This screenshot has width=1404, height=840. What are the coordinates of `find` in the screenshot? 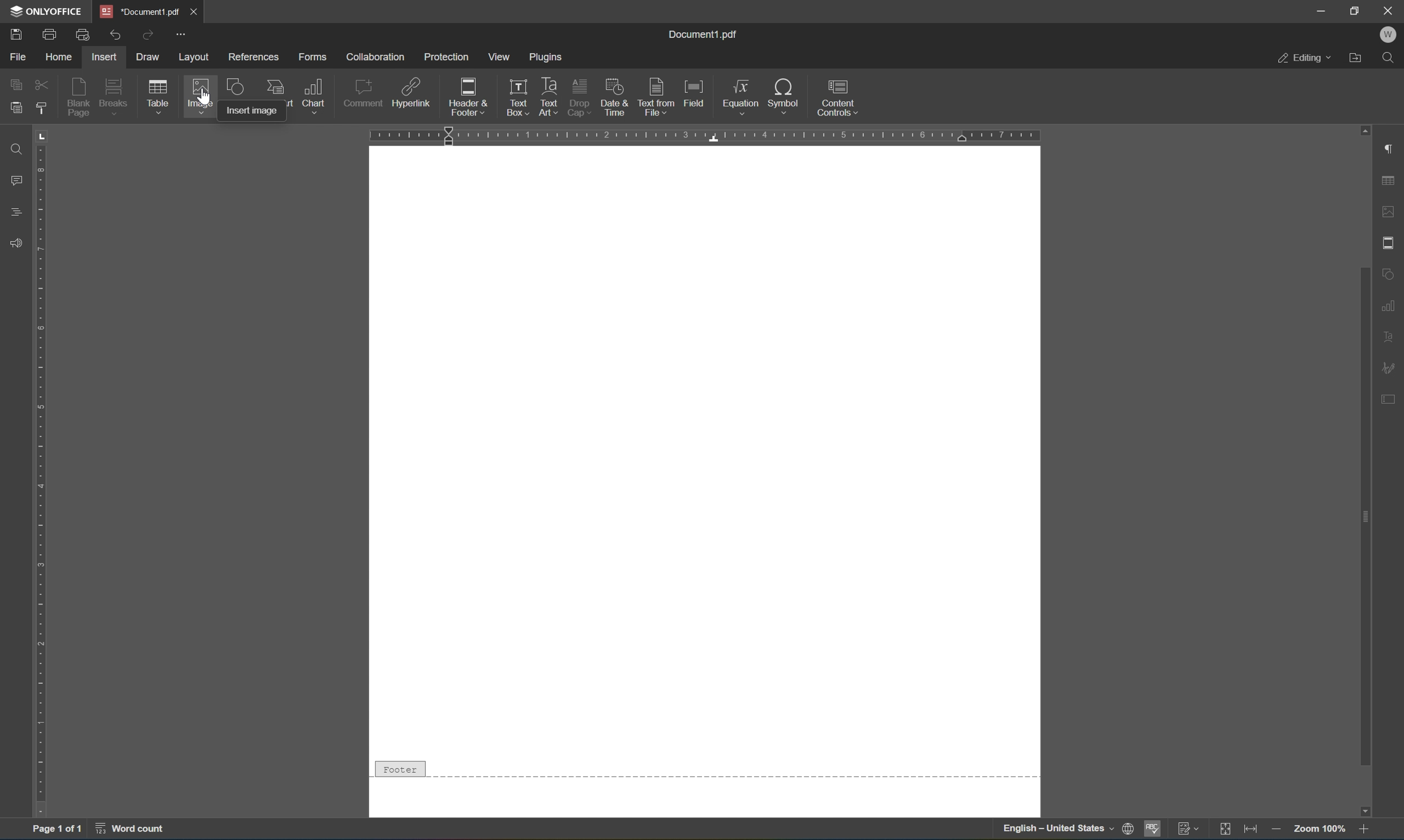 It's located at (1391, 59).